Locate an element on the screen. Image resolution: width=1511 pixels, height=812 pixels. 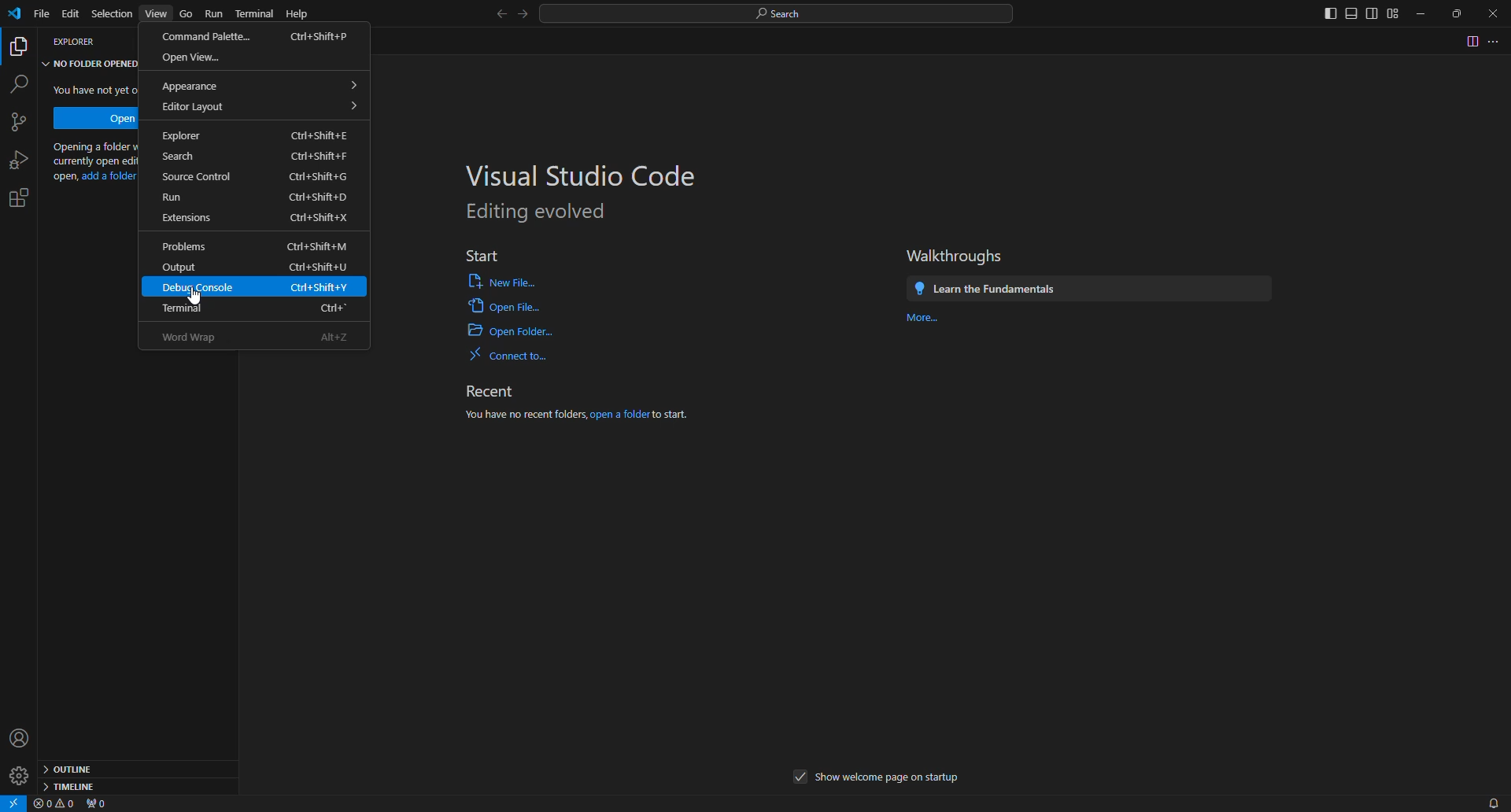
notifications is located at coordinates (1492, 801).